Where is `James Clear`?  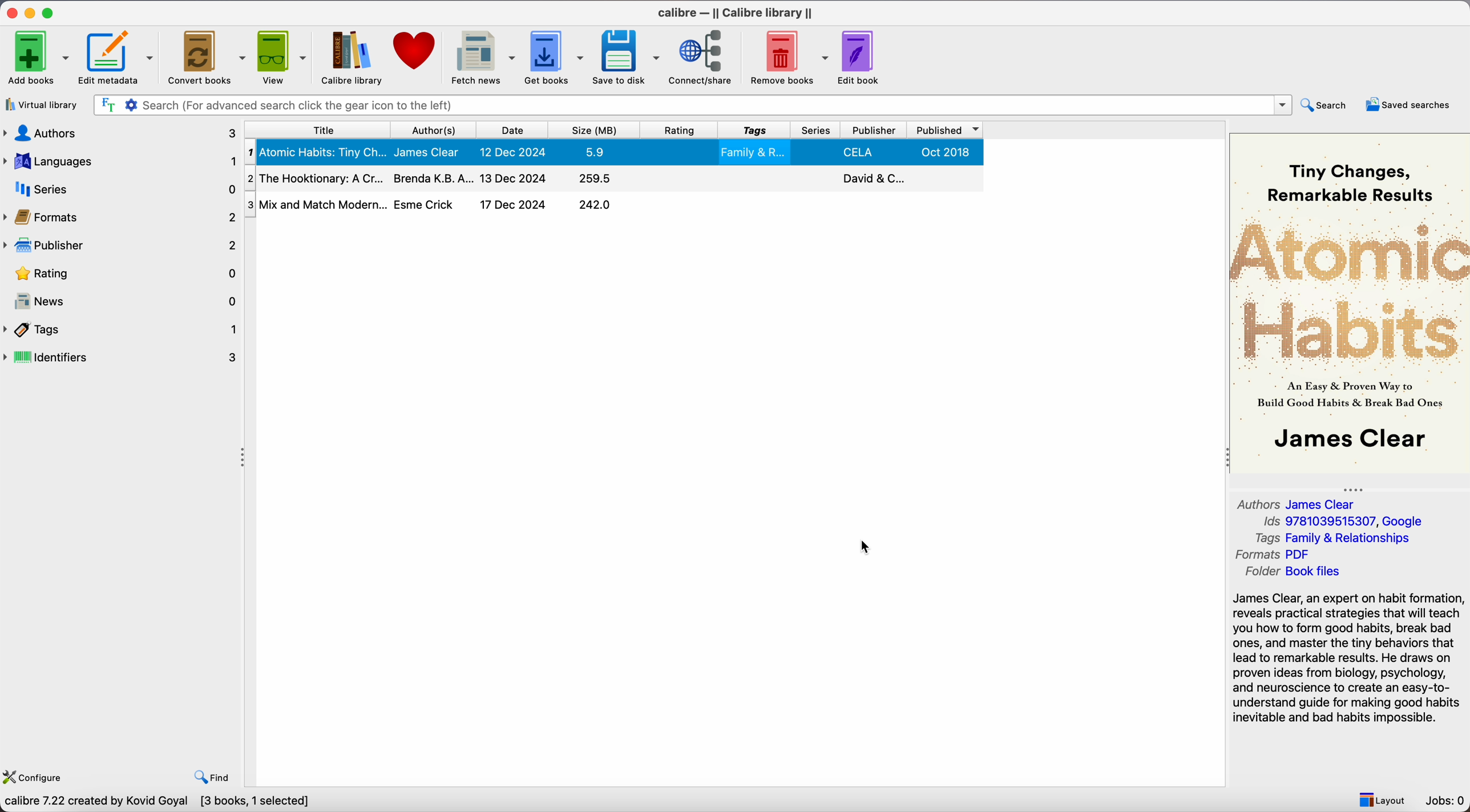 James Clear is located at coordinates (428, 152).